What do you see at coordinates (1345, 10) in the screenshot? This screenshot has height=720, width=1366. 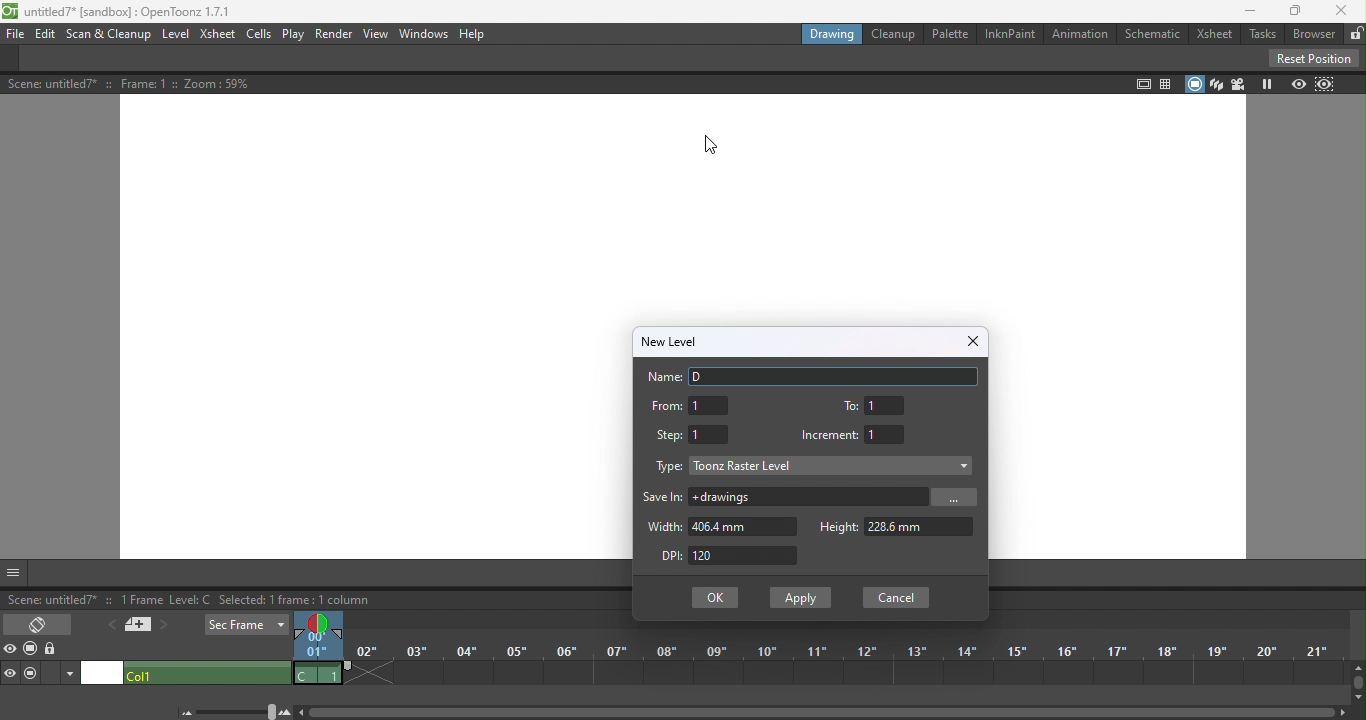 I see `close` at bounding box center [1345, 10].